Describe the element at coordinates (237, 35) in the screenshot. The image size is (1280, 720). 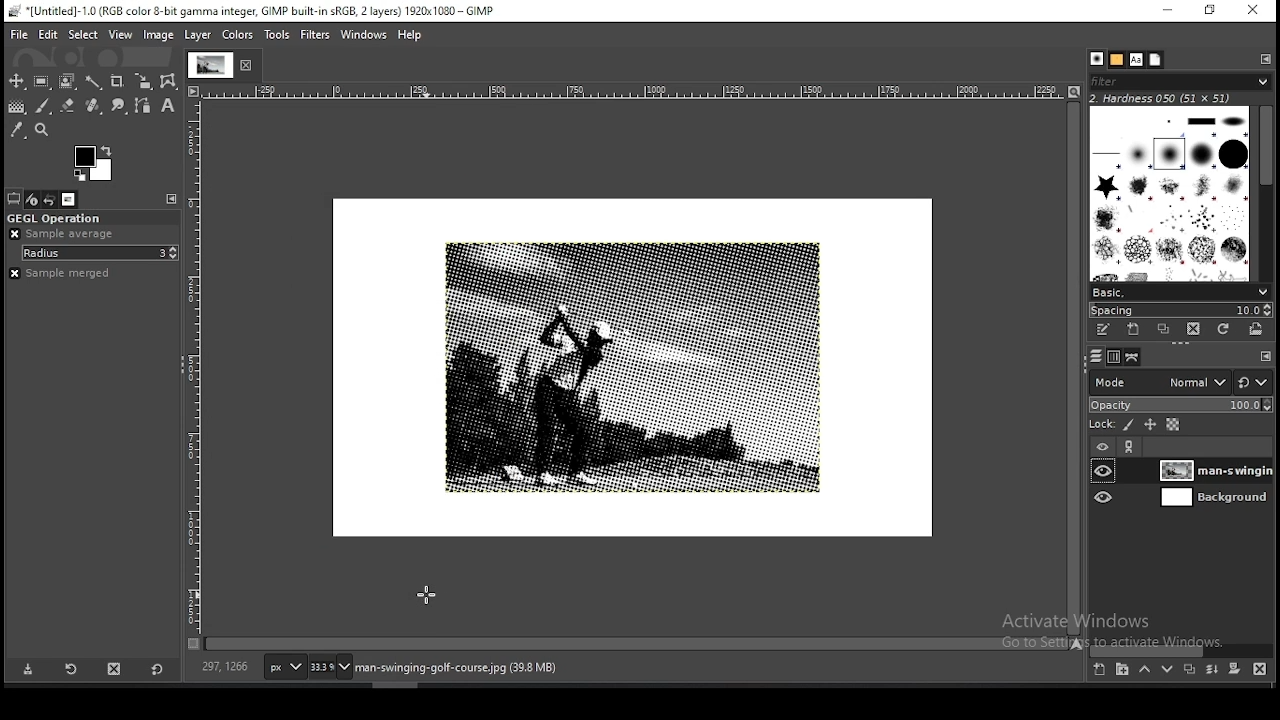
I see `colors` at that location.